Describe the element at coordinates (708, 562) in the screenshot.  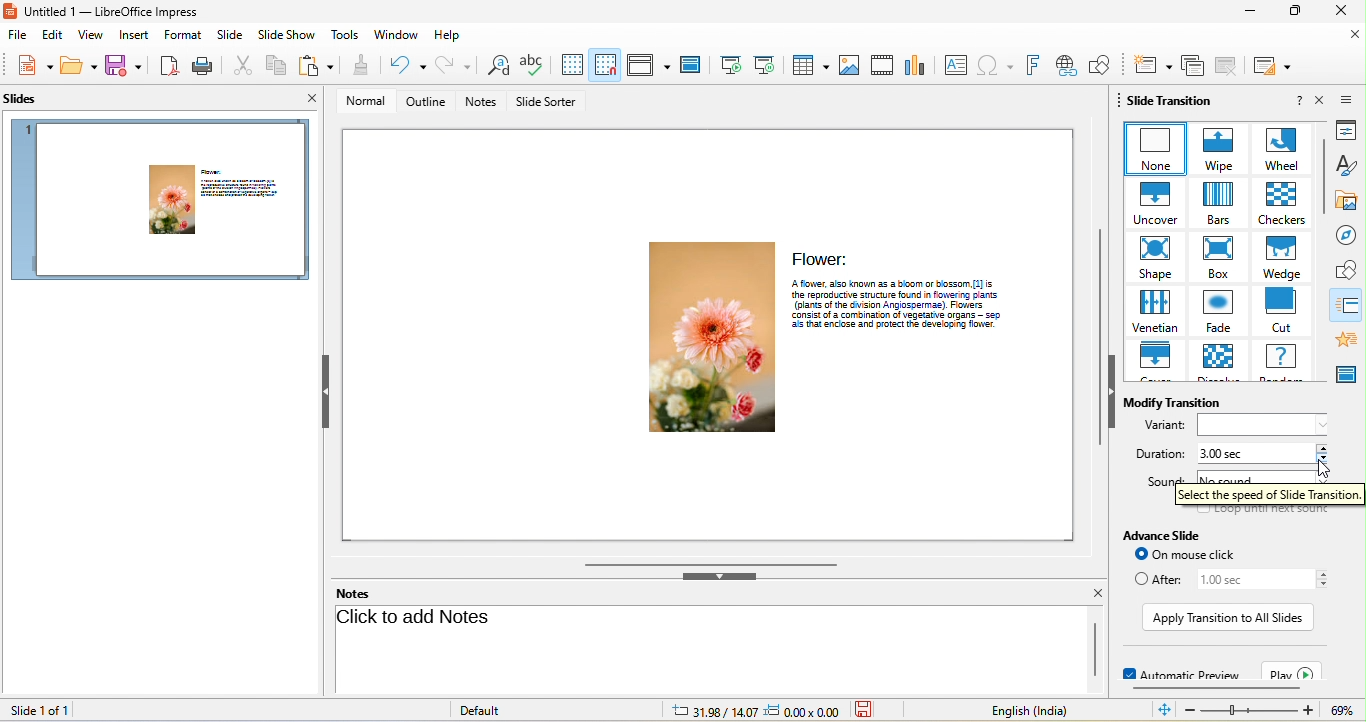
I see `horizontal scroll bar` at that location.